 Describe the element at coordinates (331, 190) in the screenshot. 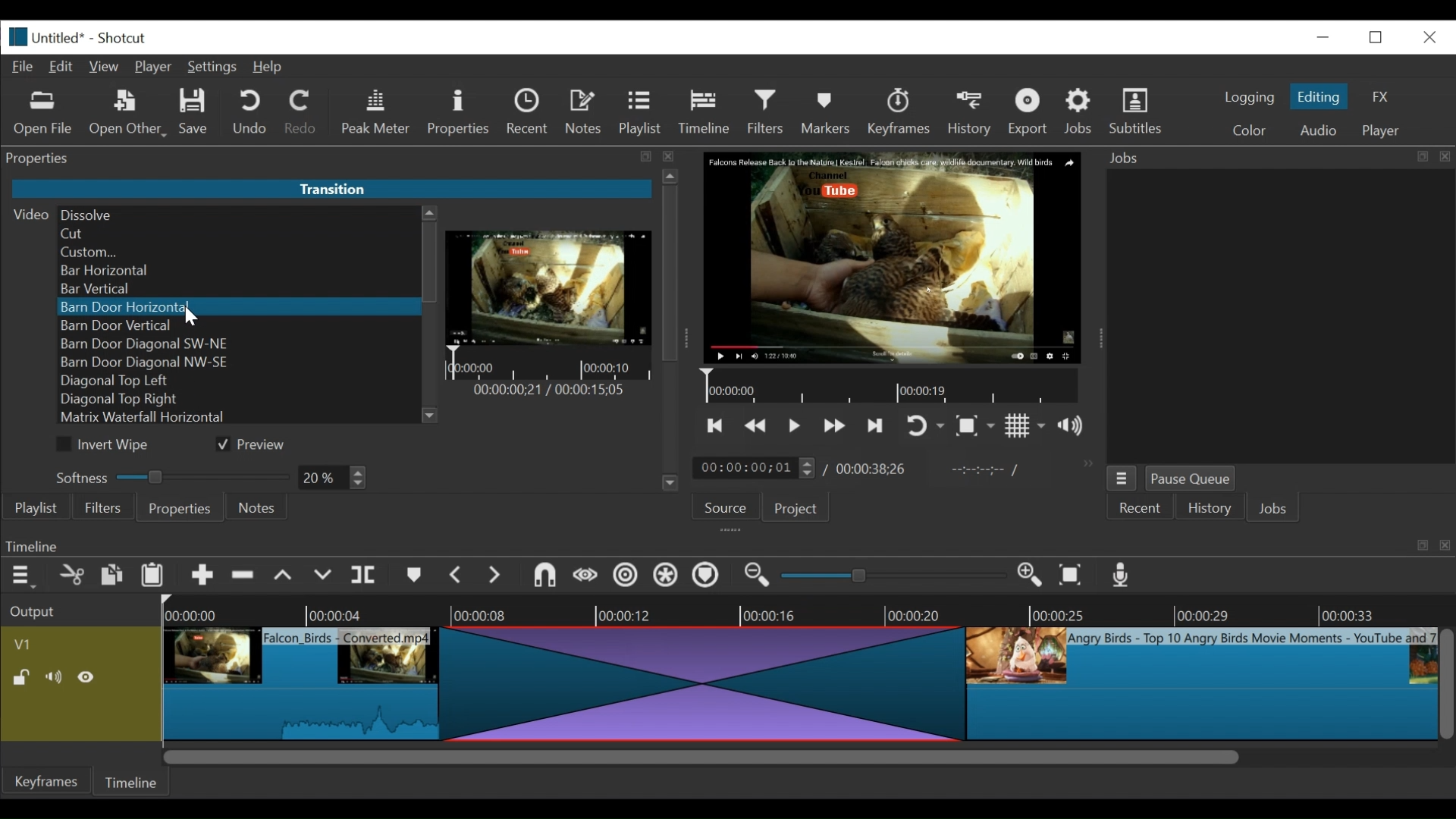

I see `Transitition` at that location.